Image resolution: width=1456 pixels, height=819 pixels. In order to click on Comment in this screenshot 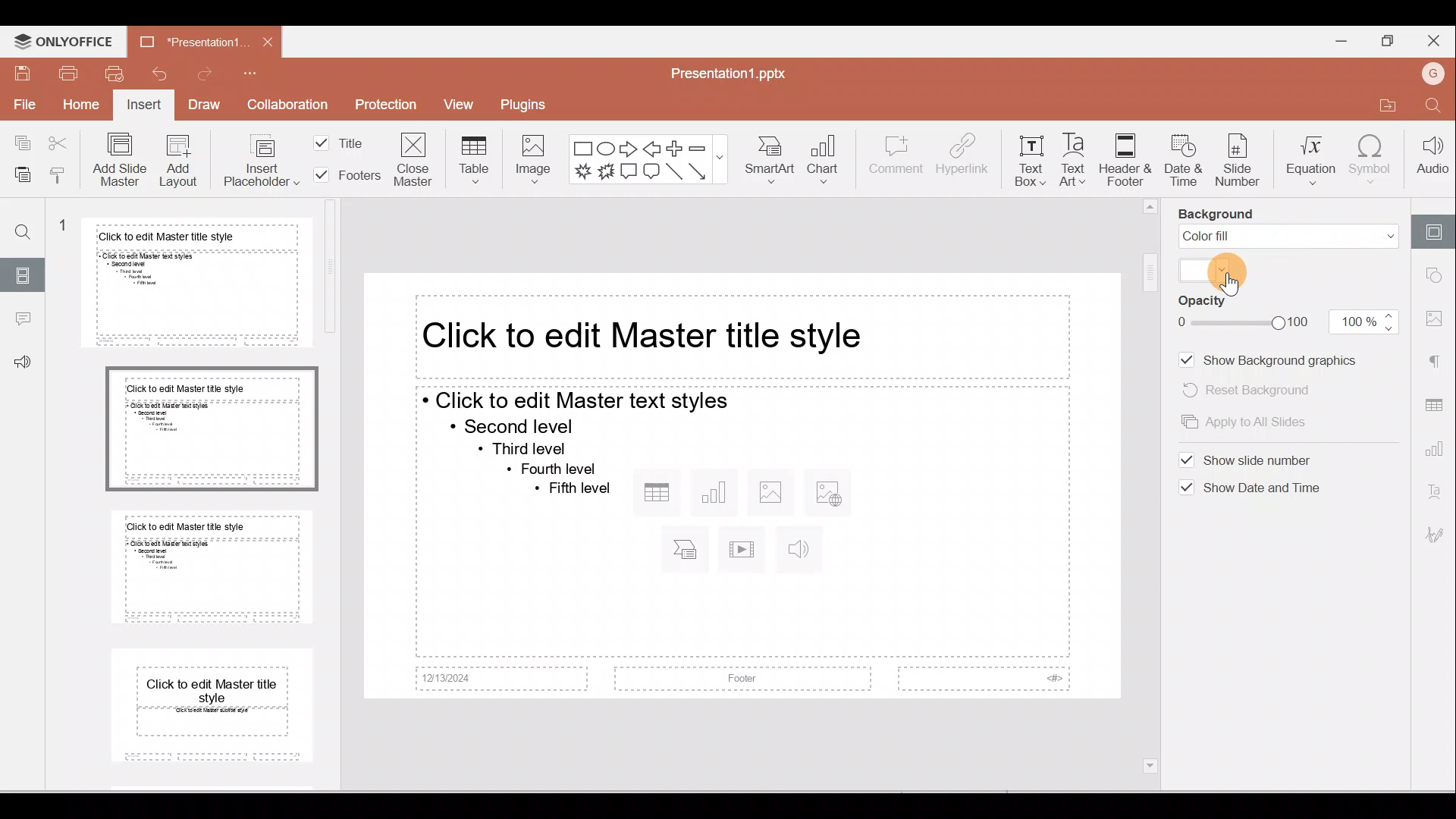, I will do `click(896, 159)`.